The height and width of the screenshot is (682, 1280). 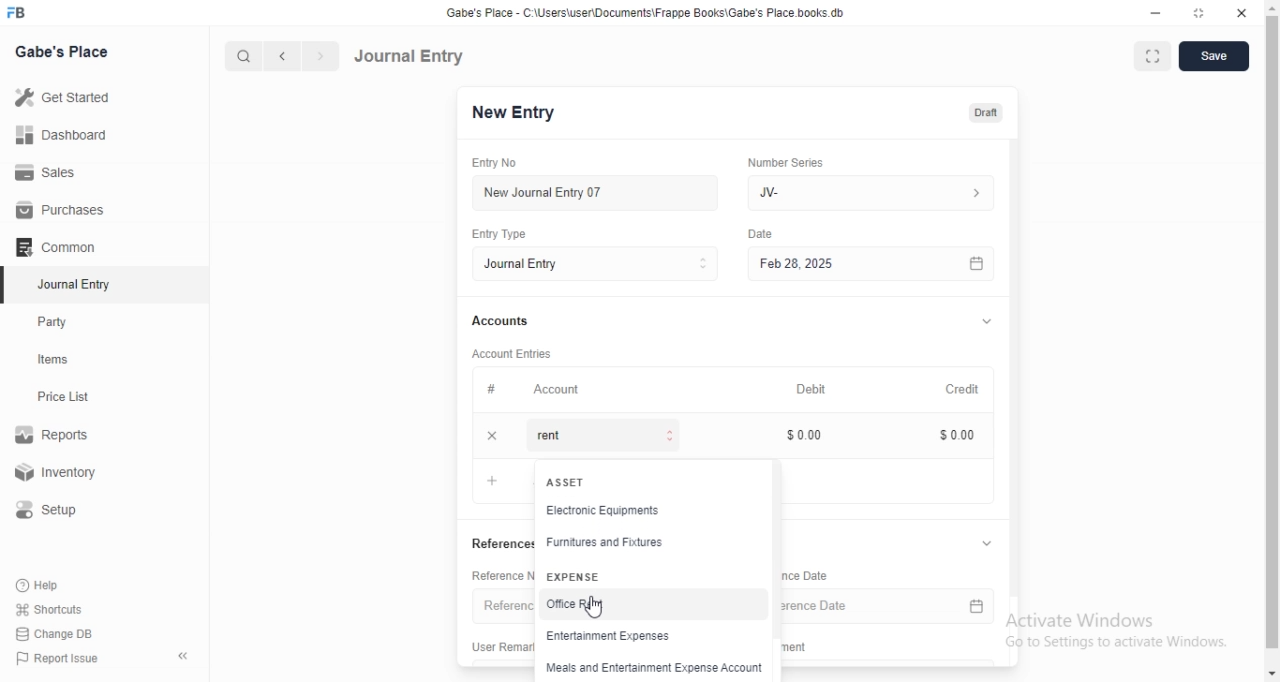 What do you see at coordinates (1151, 58) in the screenshot?
I see `fullscreen` at bounding box center [1151, 58].